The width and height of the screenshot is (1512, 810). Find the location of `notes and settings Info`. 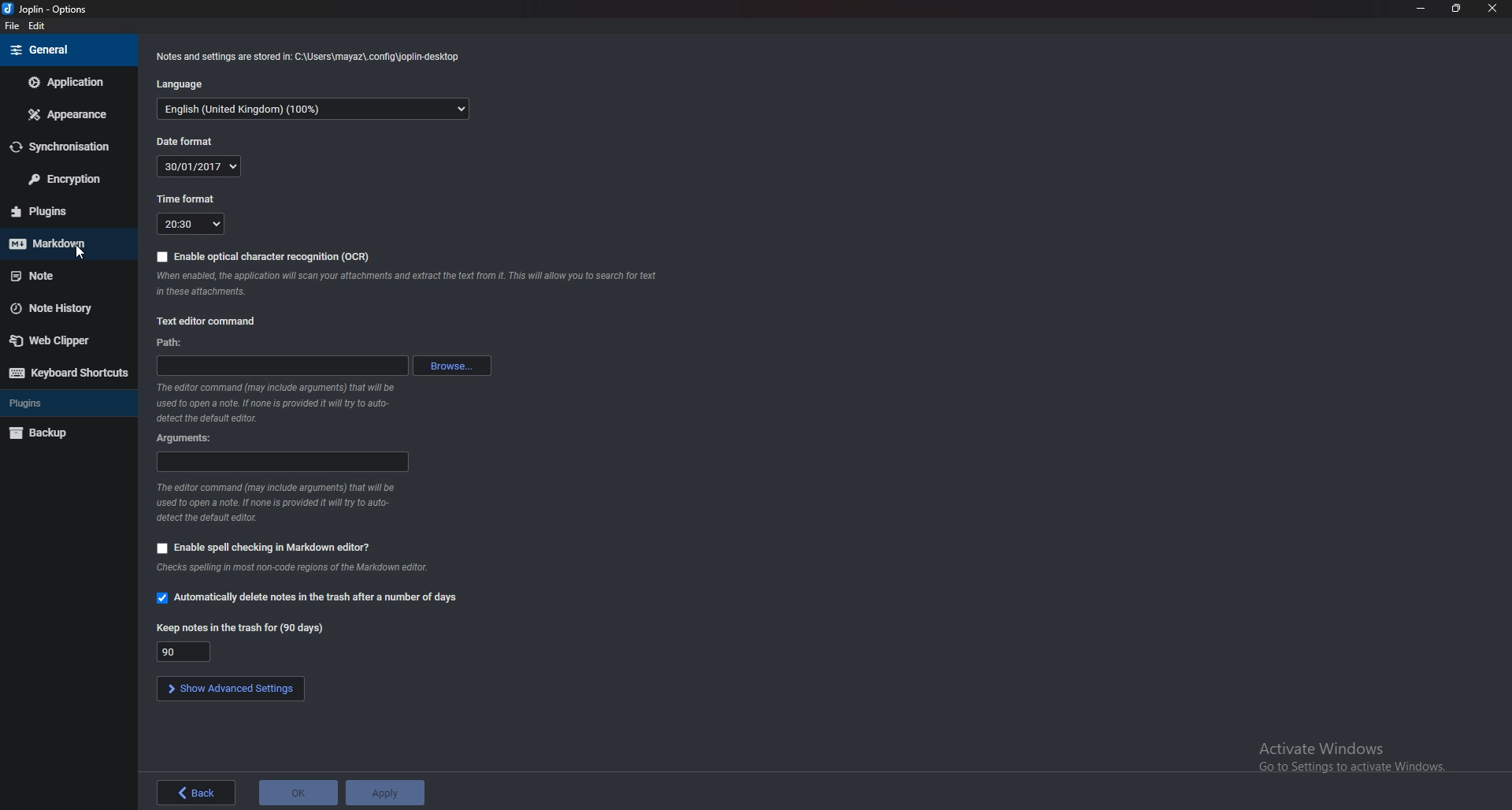

notes and settings Info is located at coordinates (309, 56).